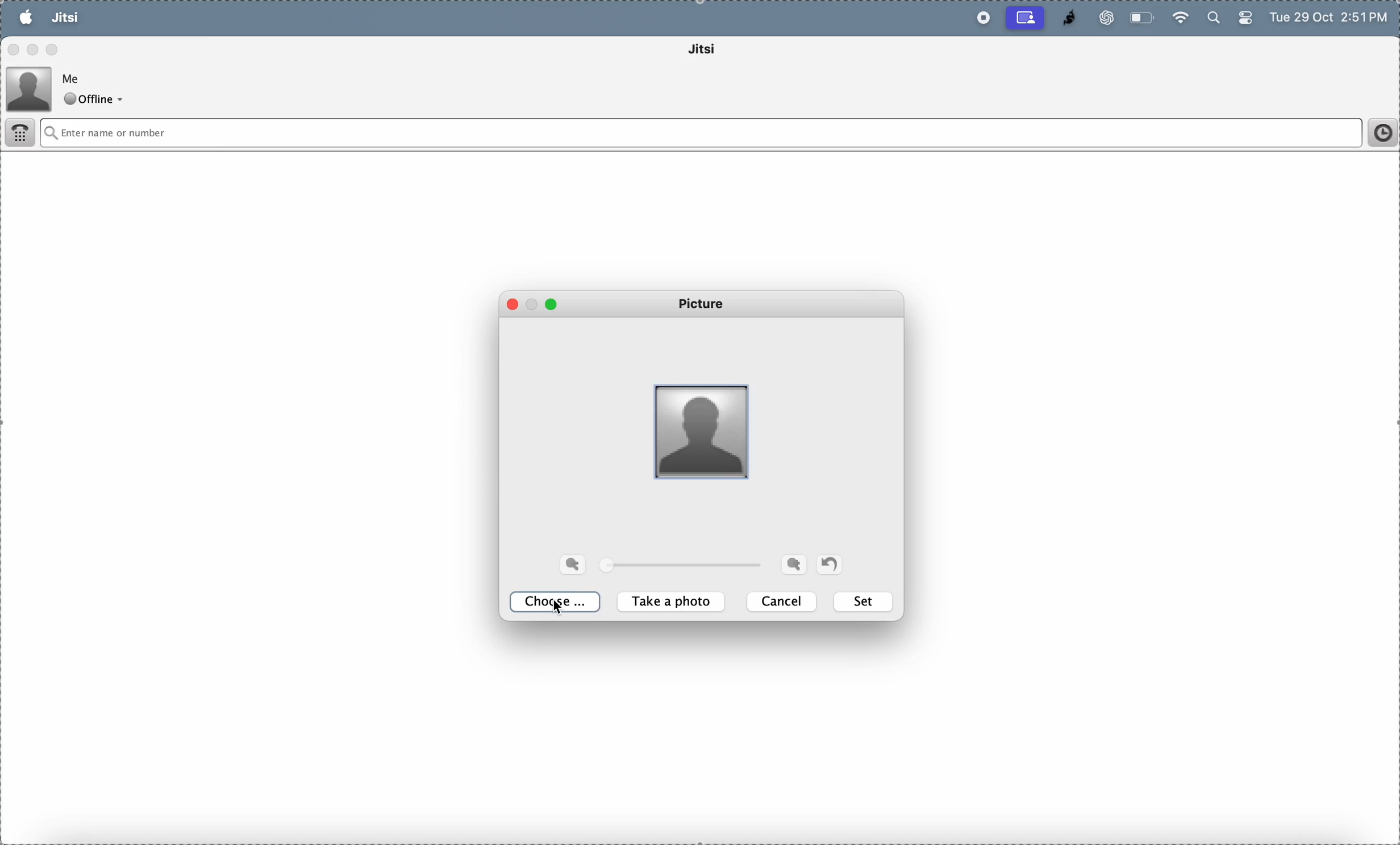 This screenshot has width=1400, height=845. I want to click on maximize, so click(552, 304).